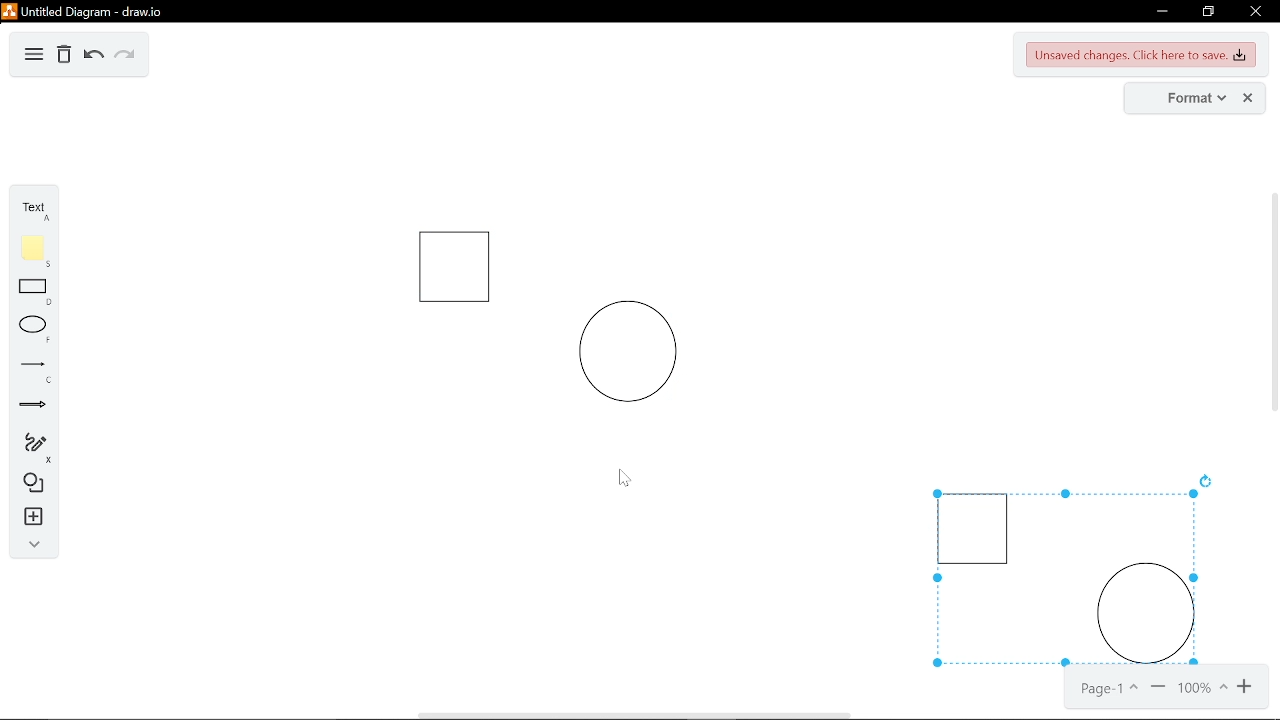  What do you see at coordinates (1058, 578) in the screenshot?
I see `grouped object pasted` at bounding box center [1058, 578].